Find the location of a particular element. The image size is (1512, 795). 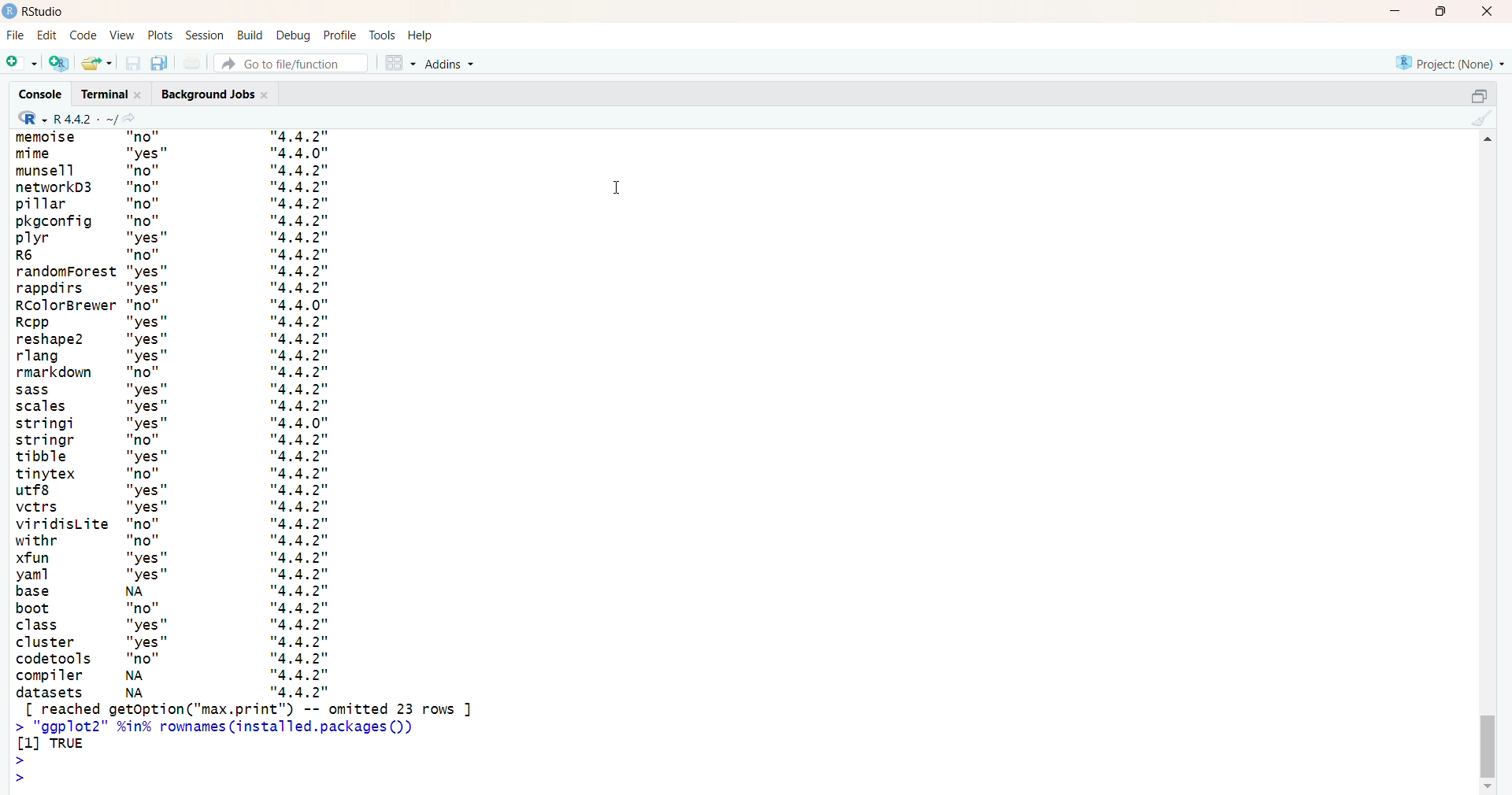

R 4.4.2 is located at coordinates (63, 119).